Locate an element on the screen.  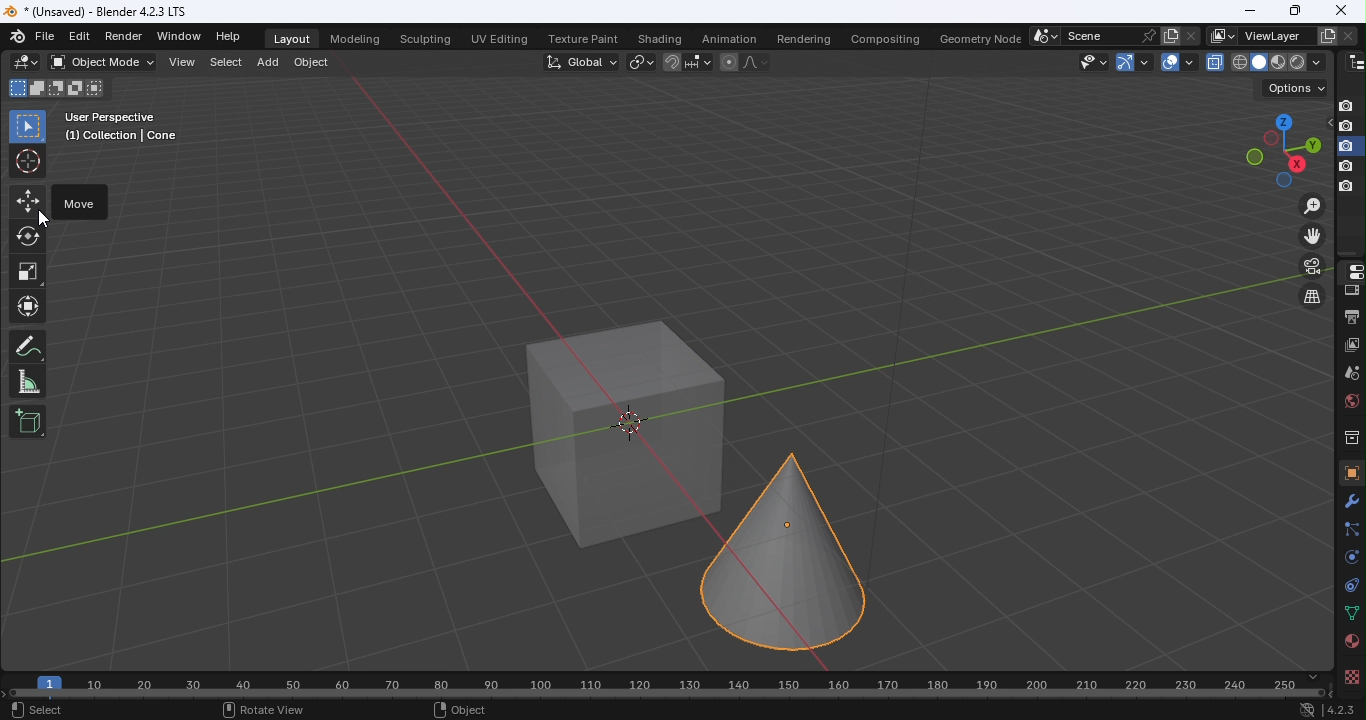
Object is located at coordinates (463, 711).